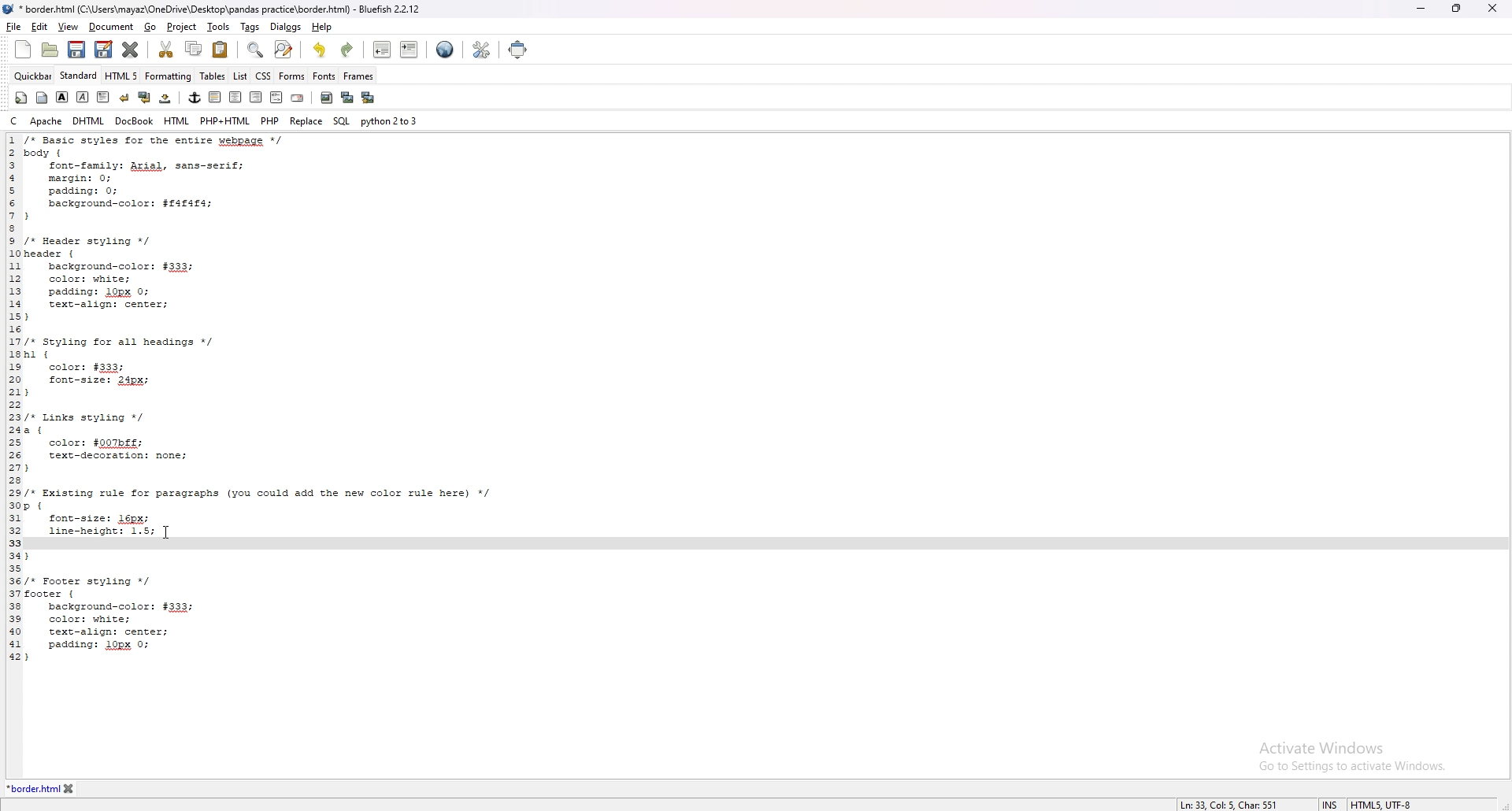 The width and height of the screenshot is (1512, 811). I want to click on dialogs, so click(285, 27).